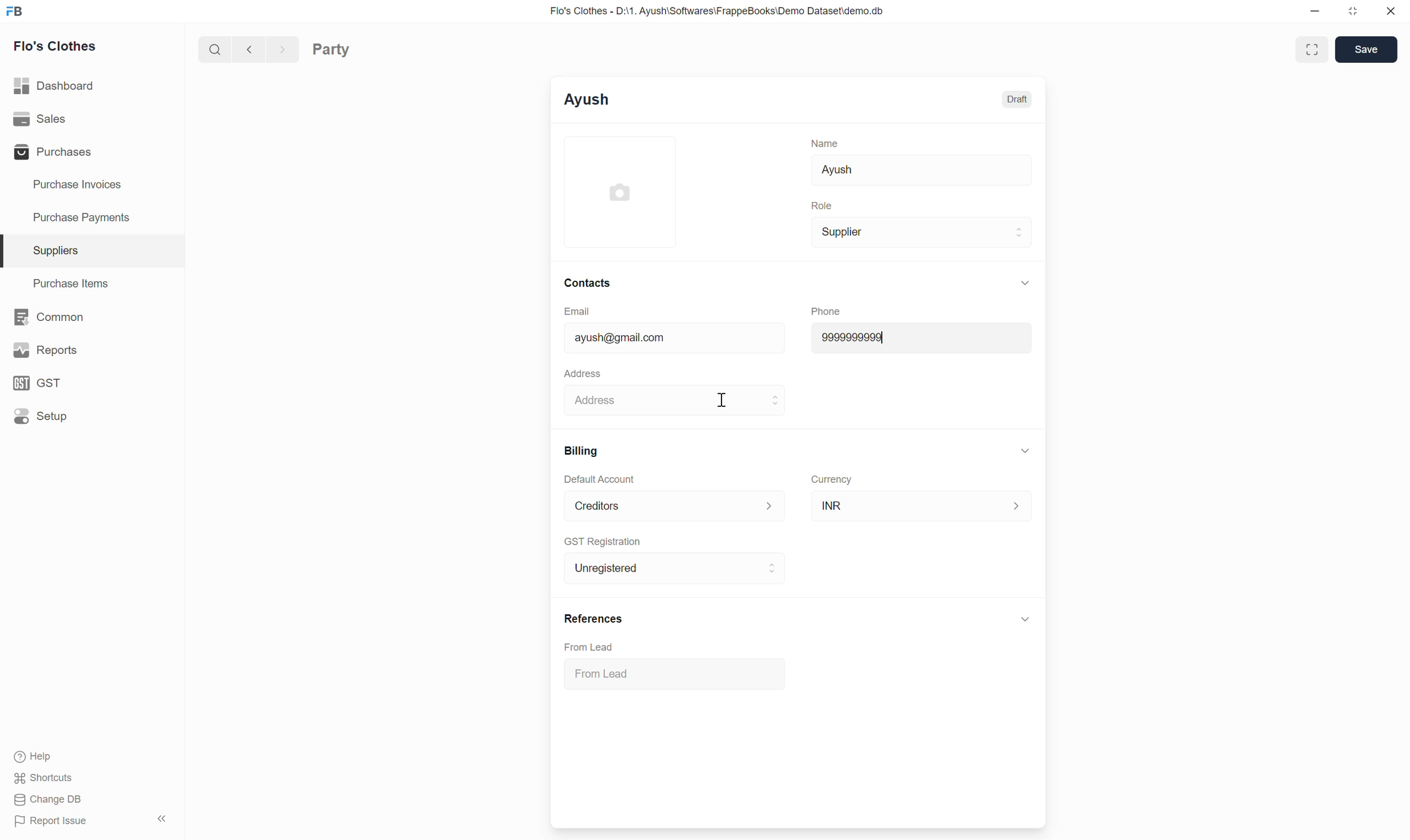 Image resolution: width=1410 pixels, height=840 pixels. What do you see at coordinates (91, 317) in the screenshot?
I see `Common` at bounding box center [91, 317].